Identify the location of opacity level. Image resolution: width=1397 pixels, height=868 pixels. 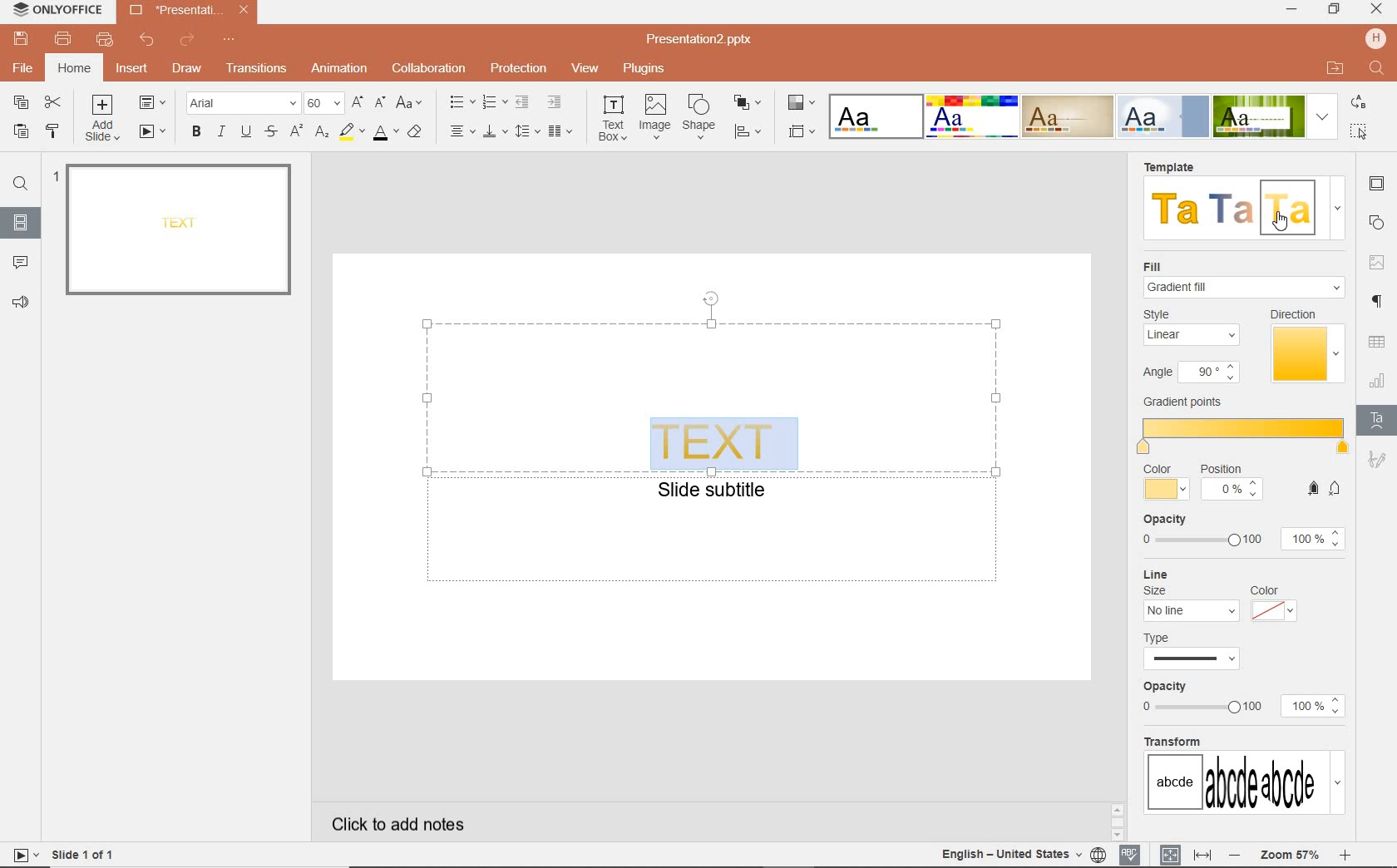
(1316, 533).